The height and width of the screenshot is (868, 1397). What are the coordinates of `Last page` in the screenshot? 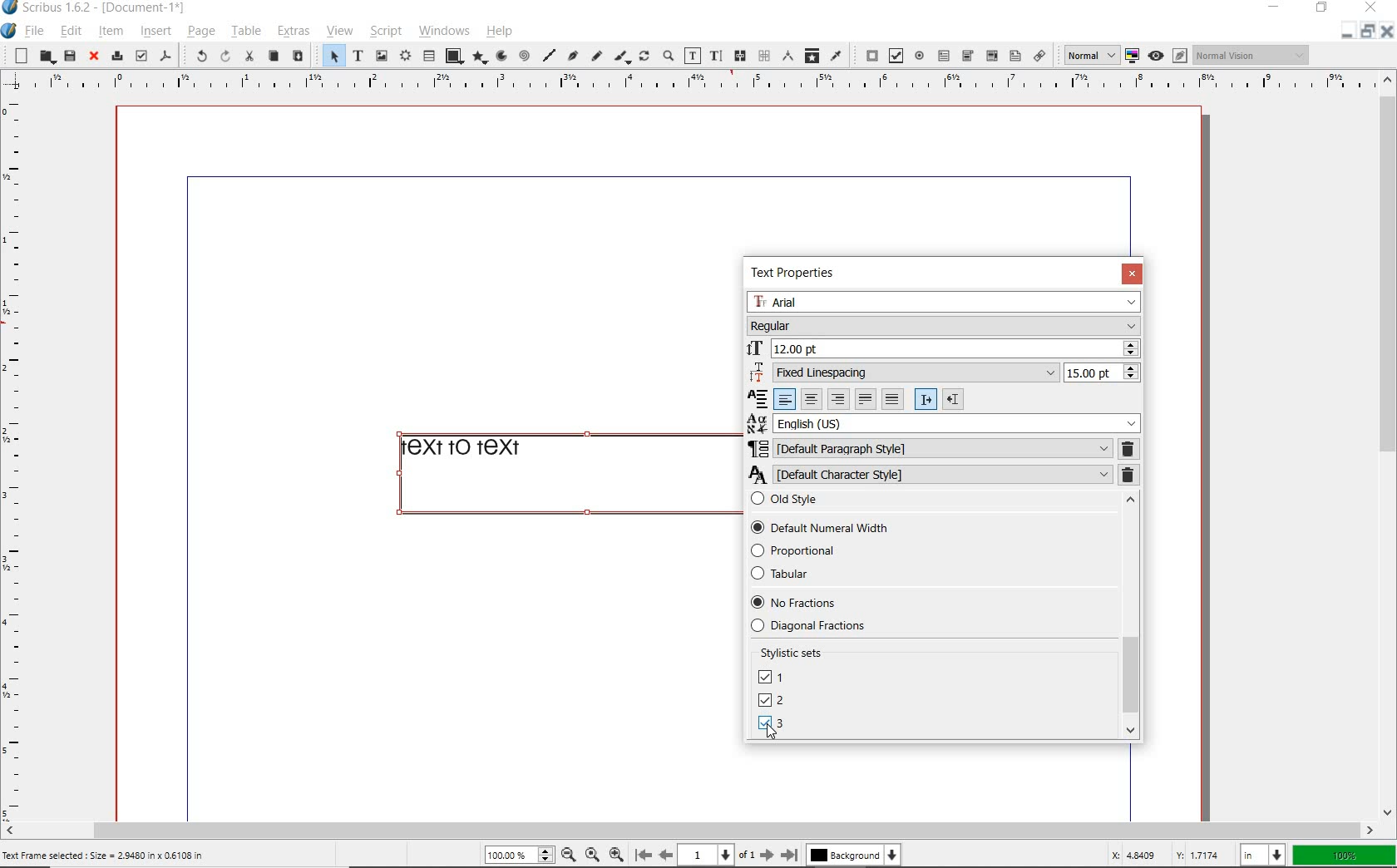 It's located at (787, 855).